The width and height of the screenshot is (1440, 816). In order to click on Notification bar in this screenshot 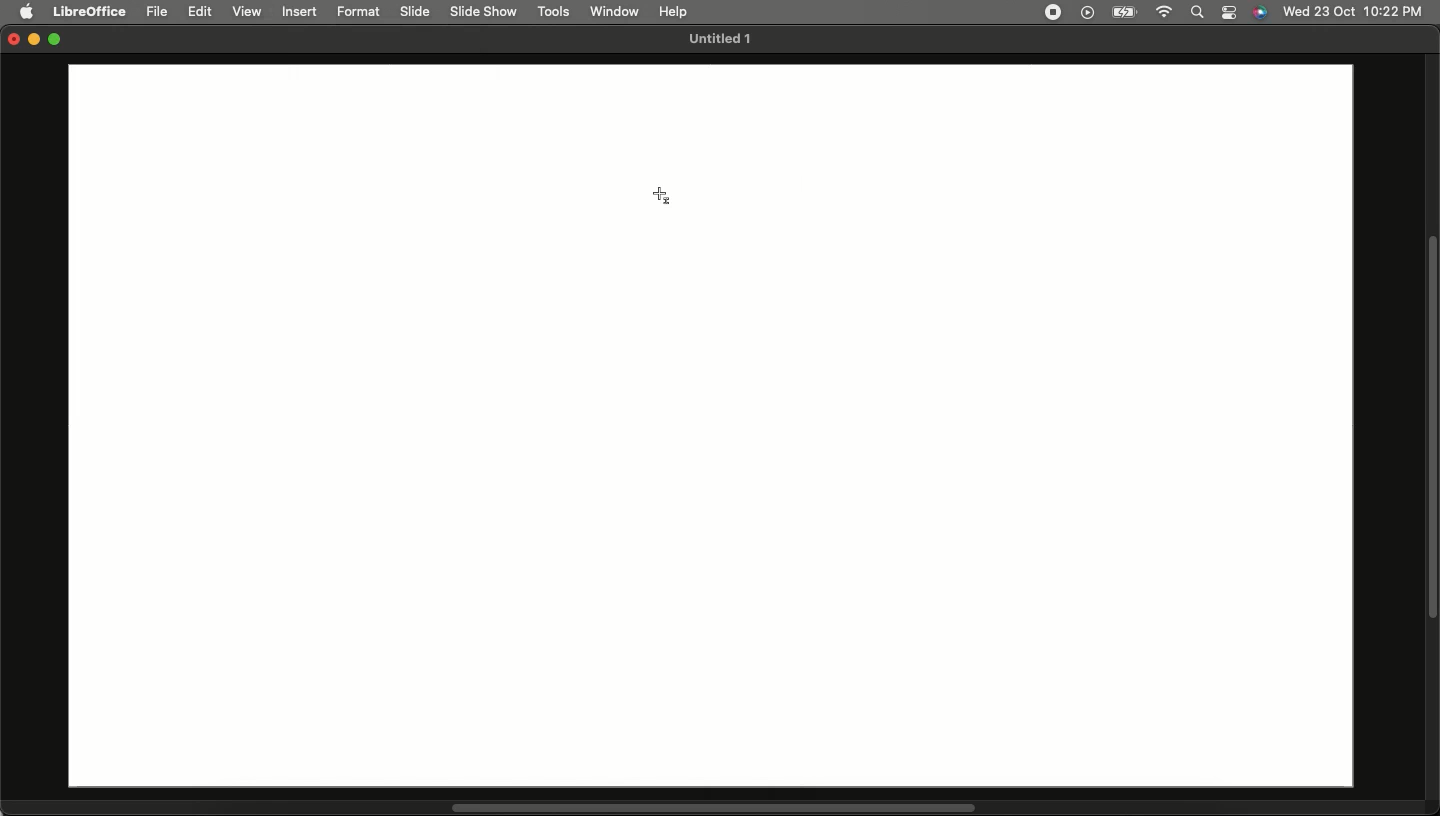, I will do `click(1230, 13)`.